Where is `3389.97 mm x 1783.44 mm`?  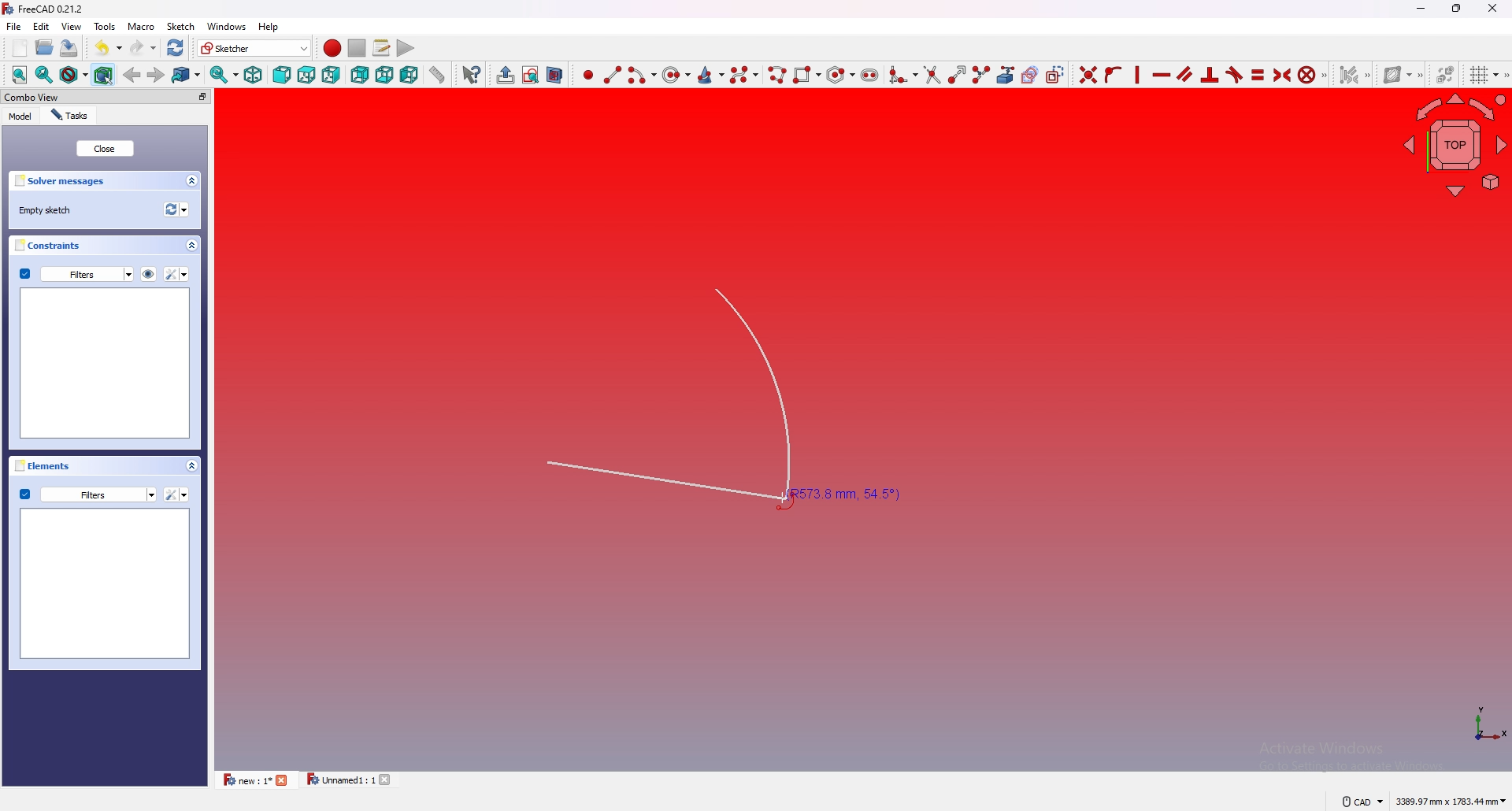
3389.97 mm x 1783.44 mm is located at coordinates (1450, 801).